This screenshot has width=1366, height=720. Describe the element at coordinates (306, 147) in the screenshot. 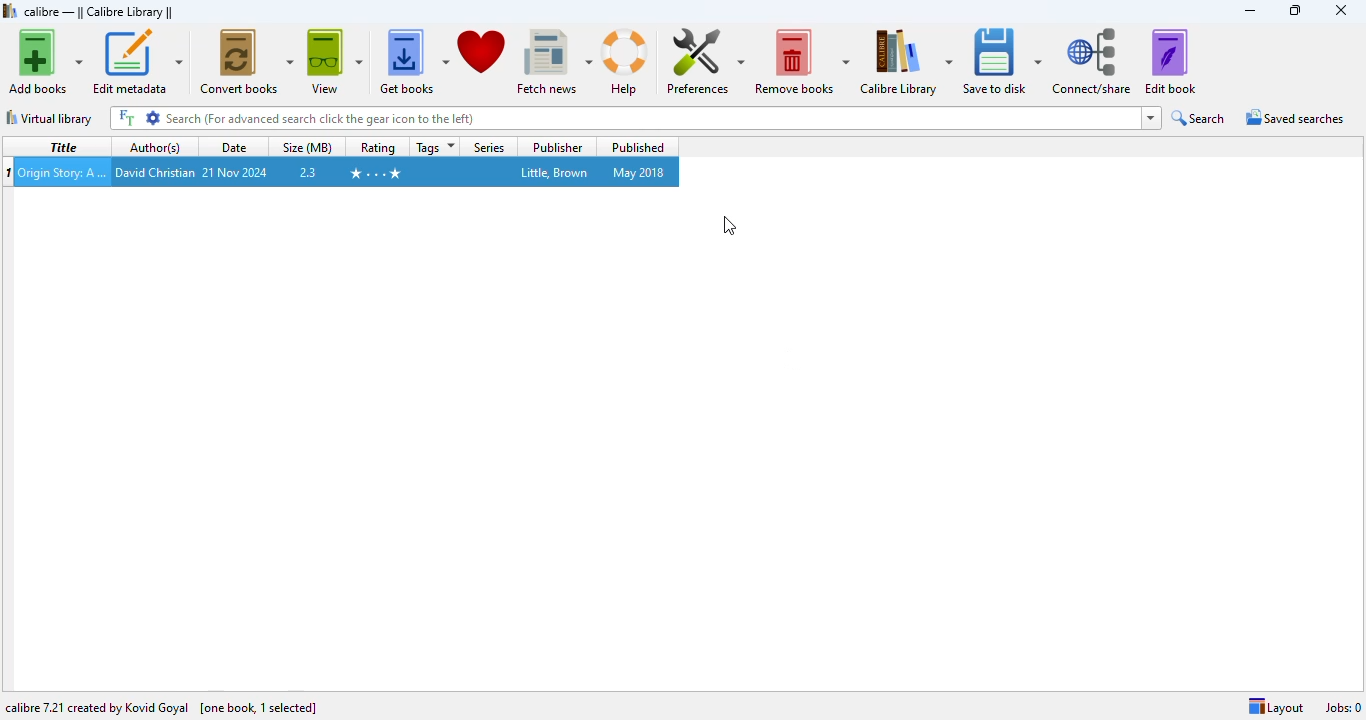

I see `size (MB)` at that location.